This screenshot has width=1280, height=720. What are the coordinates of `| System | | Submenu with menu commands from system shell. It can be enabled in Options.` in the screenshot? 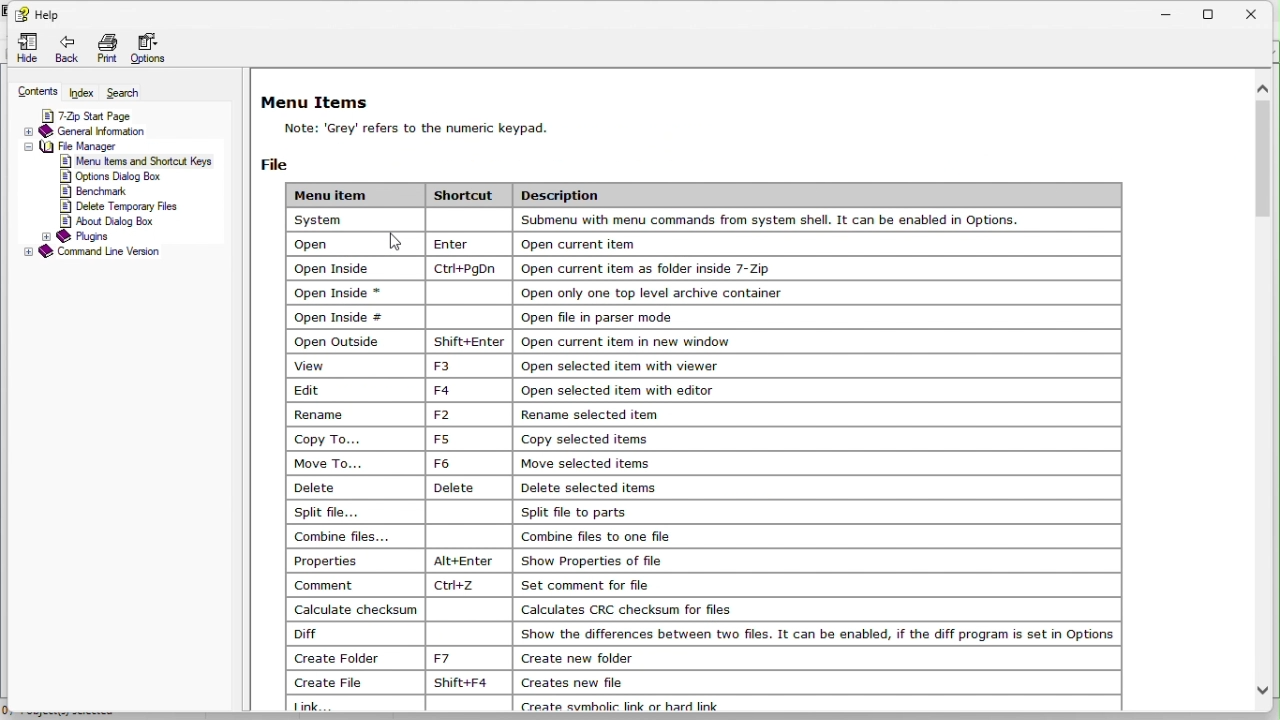 It's located at (662, 220).